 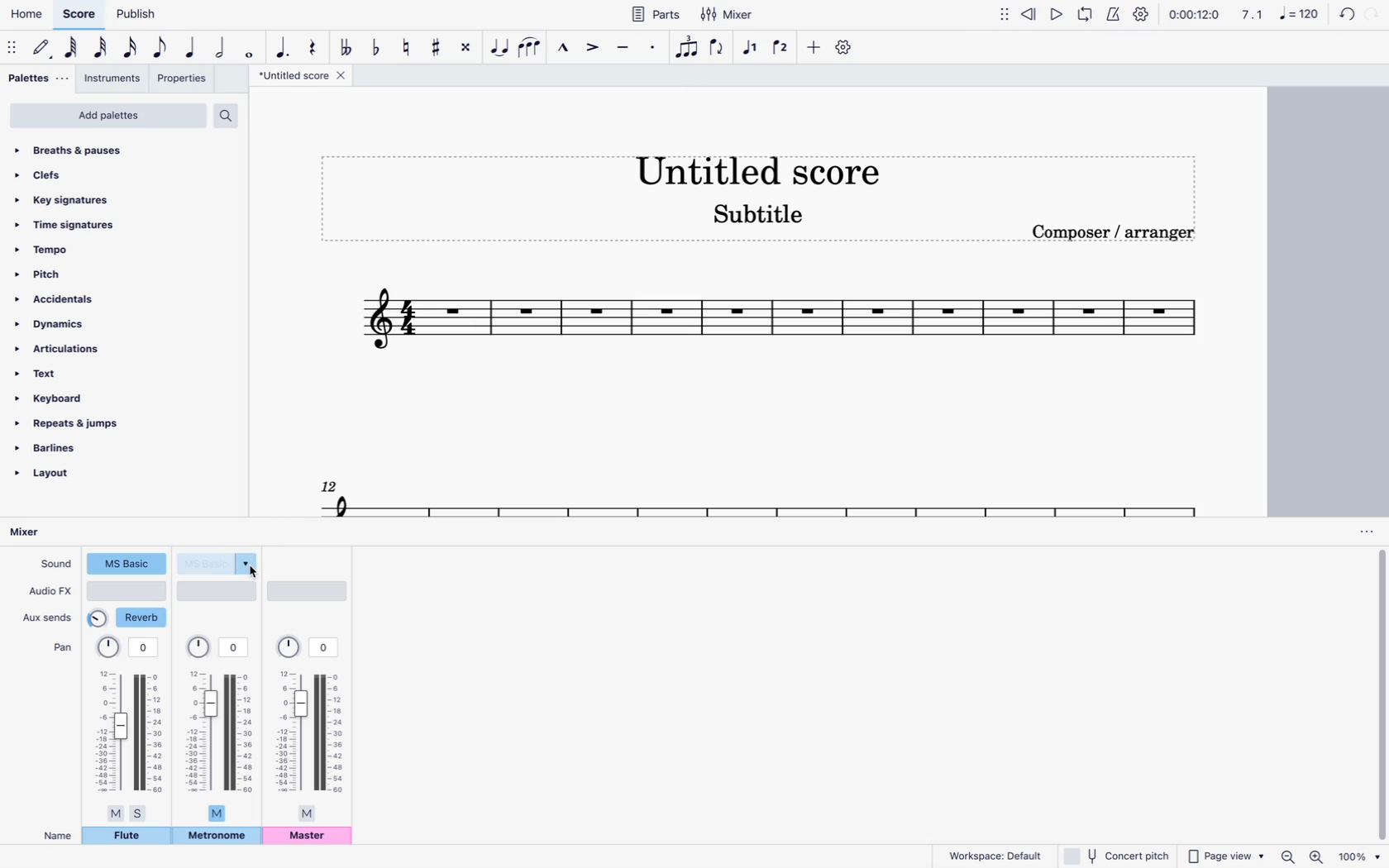 I want to click on repeats & jumps, so click(x=83, y=423).